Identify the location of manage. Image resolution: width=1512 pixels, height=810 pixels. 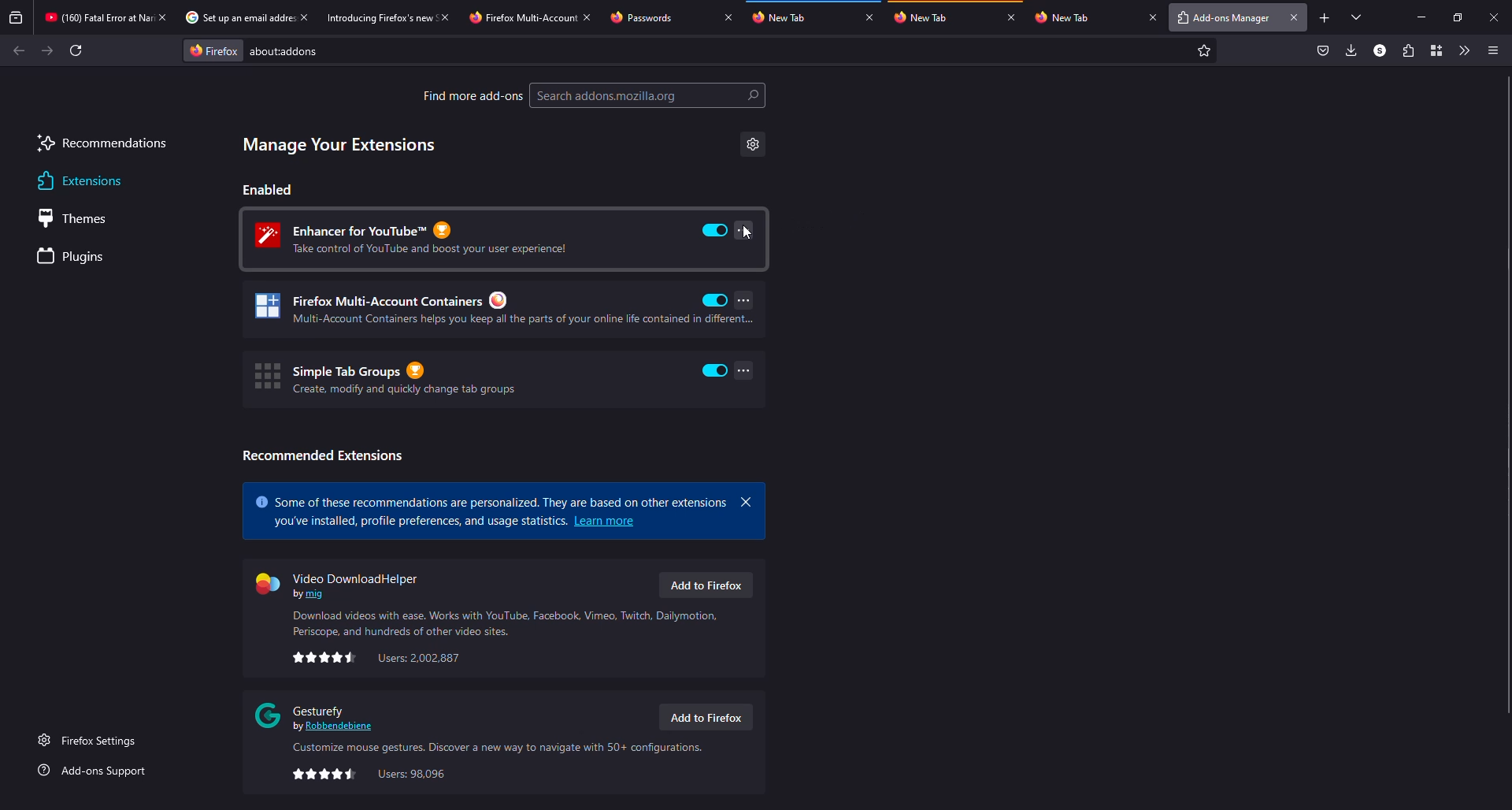
(340, 145).